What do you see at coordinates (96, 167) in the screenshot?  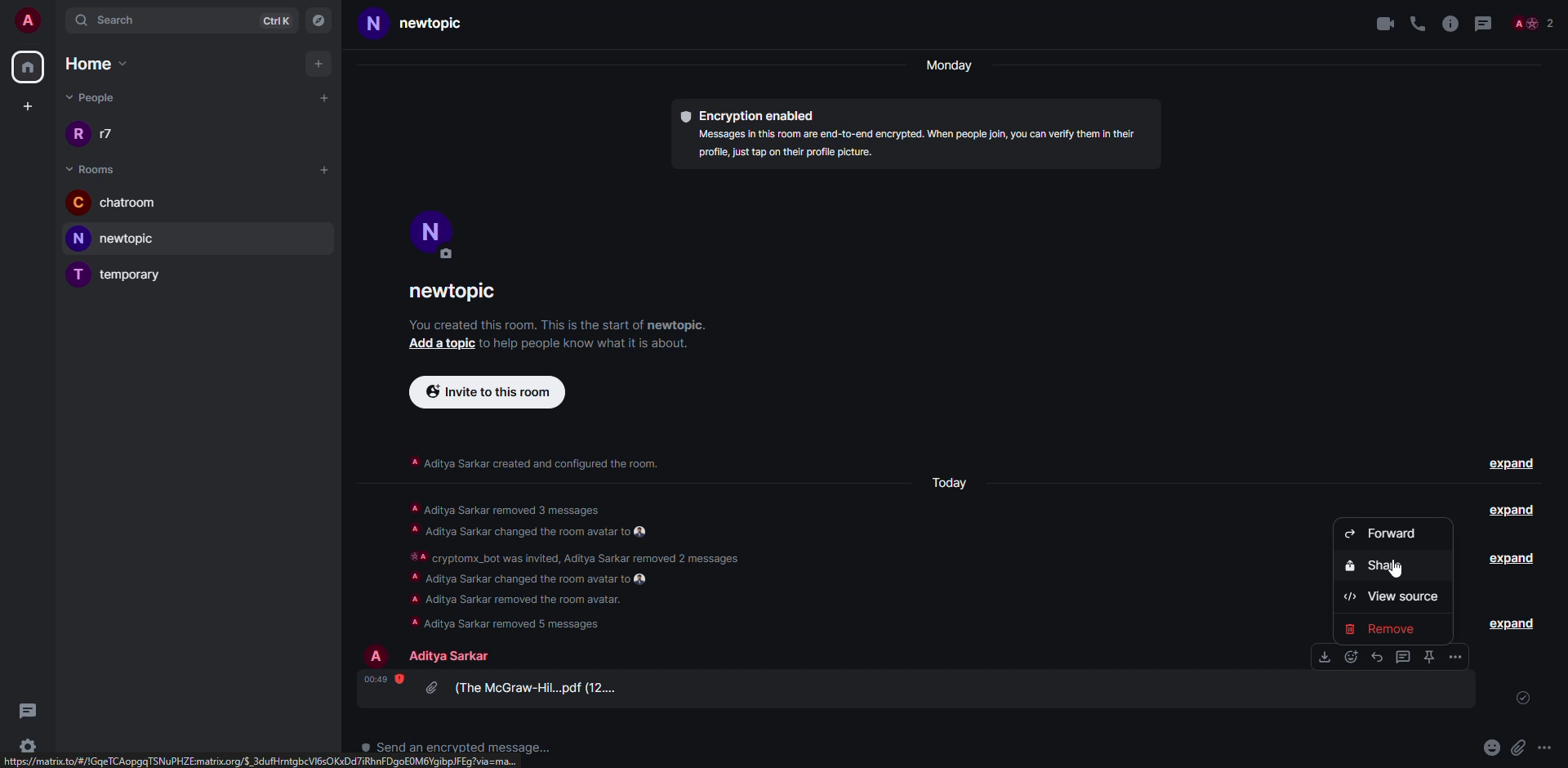 I see `room` at bounding box center [96, 167].